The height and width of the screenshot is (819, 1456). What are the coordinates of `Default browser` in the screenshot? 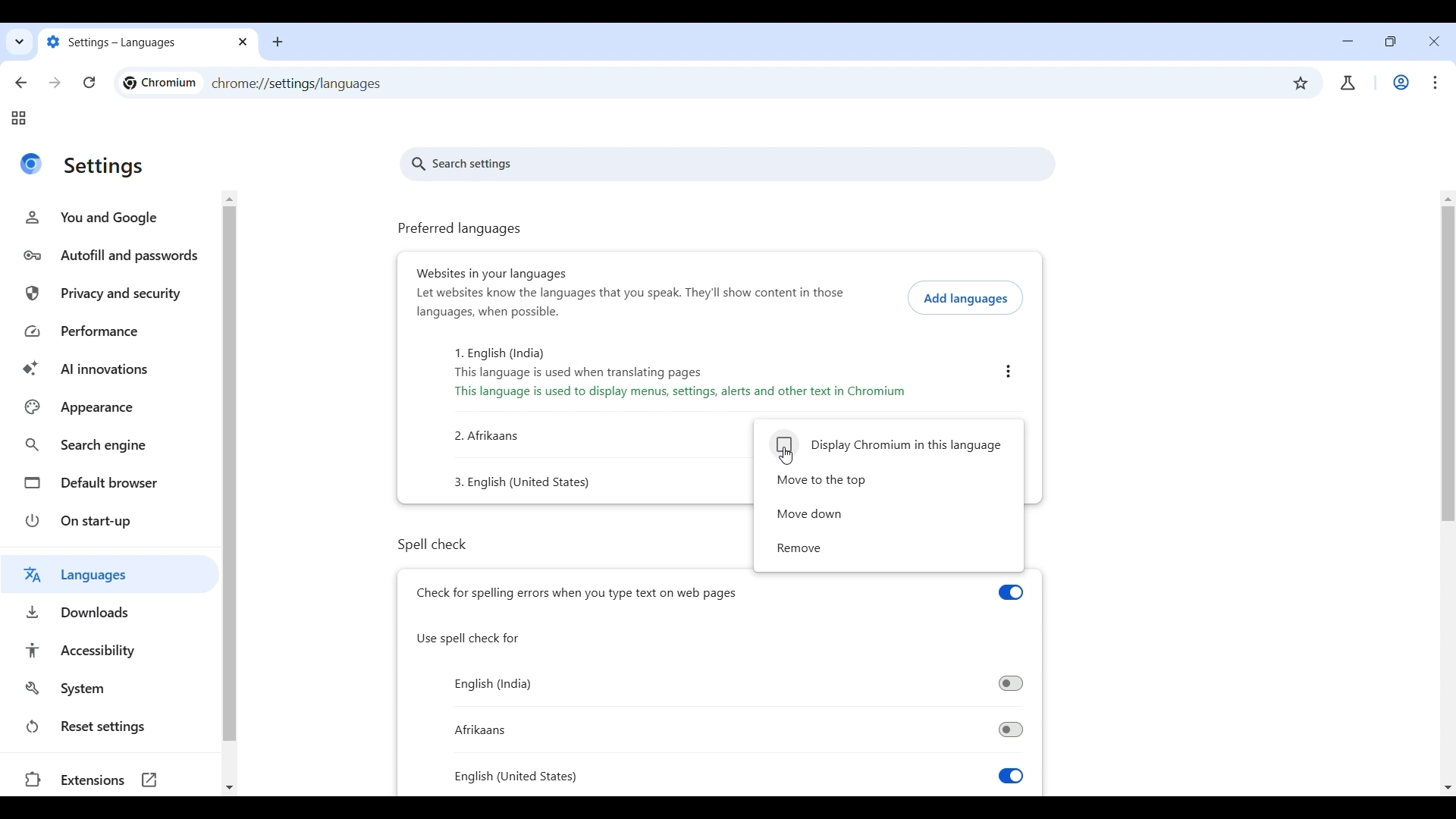 It's located at (113, 482).